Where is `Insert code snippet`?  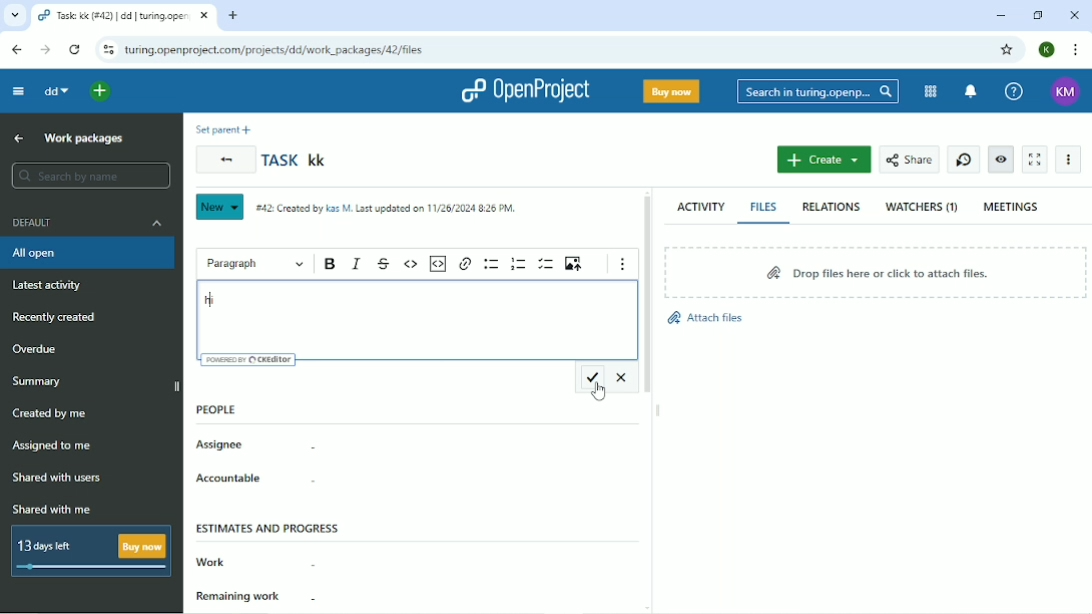
Insert code snippet is located at coordinates (438, 263).